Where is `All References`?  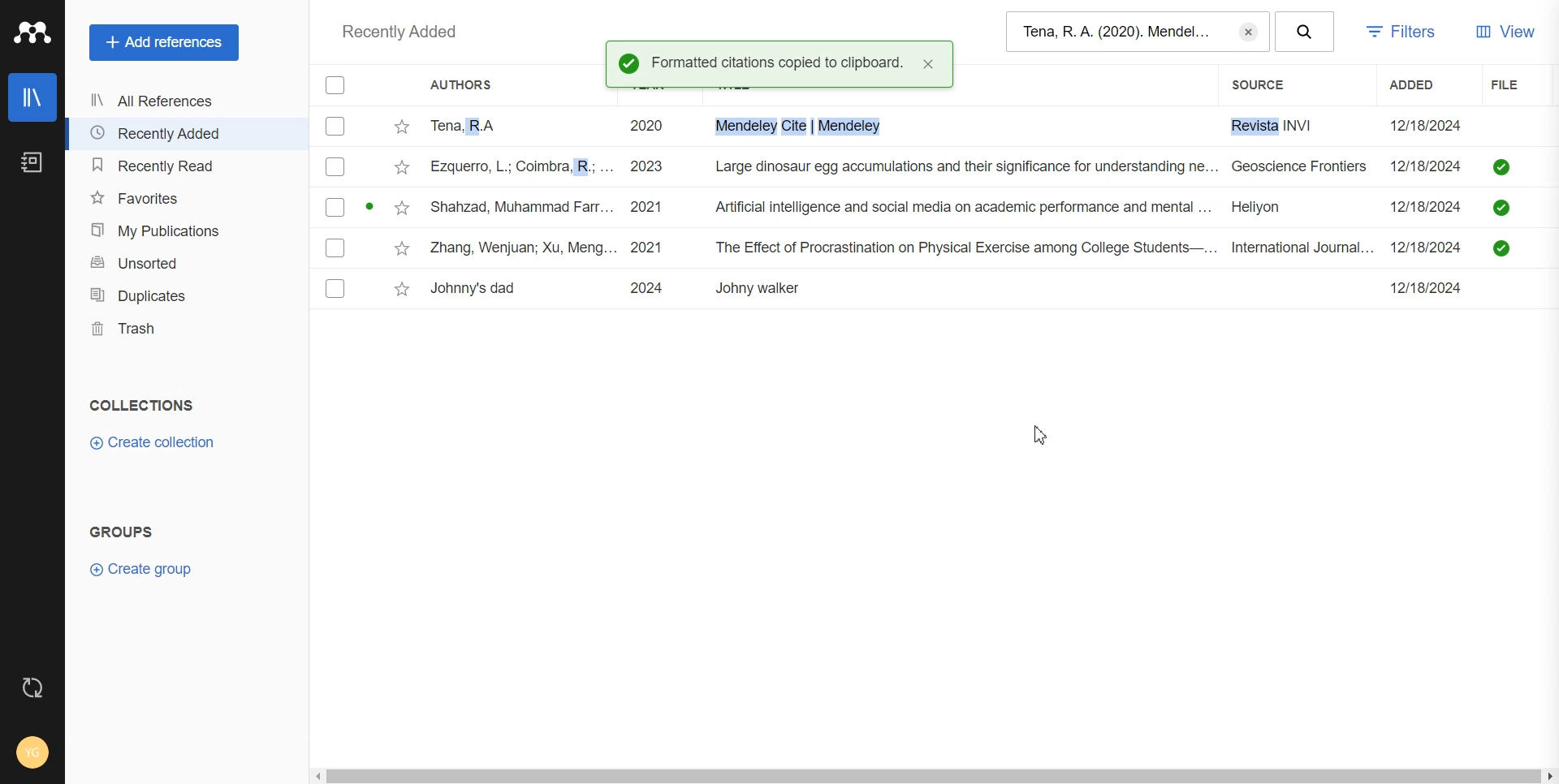
All References is located at coordinates (183, 102).